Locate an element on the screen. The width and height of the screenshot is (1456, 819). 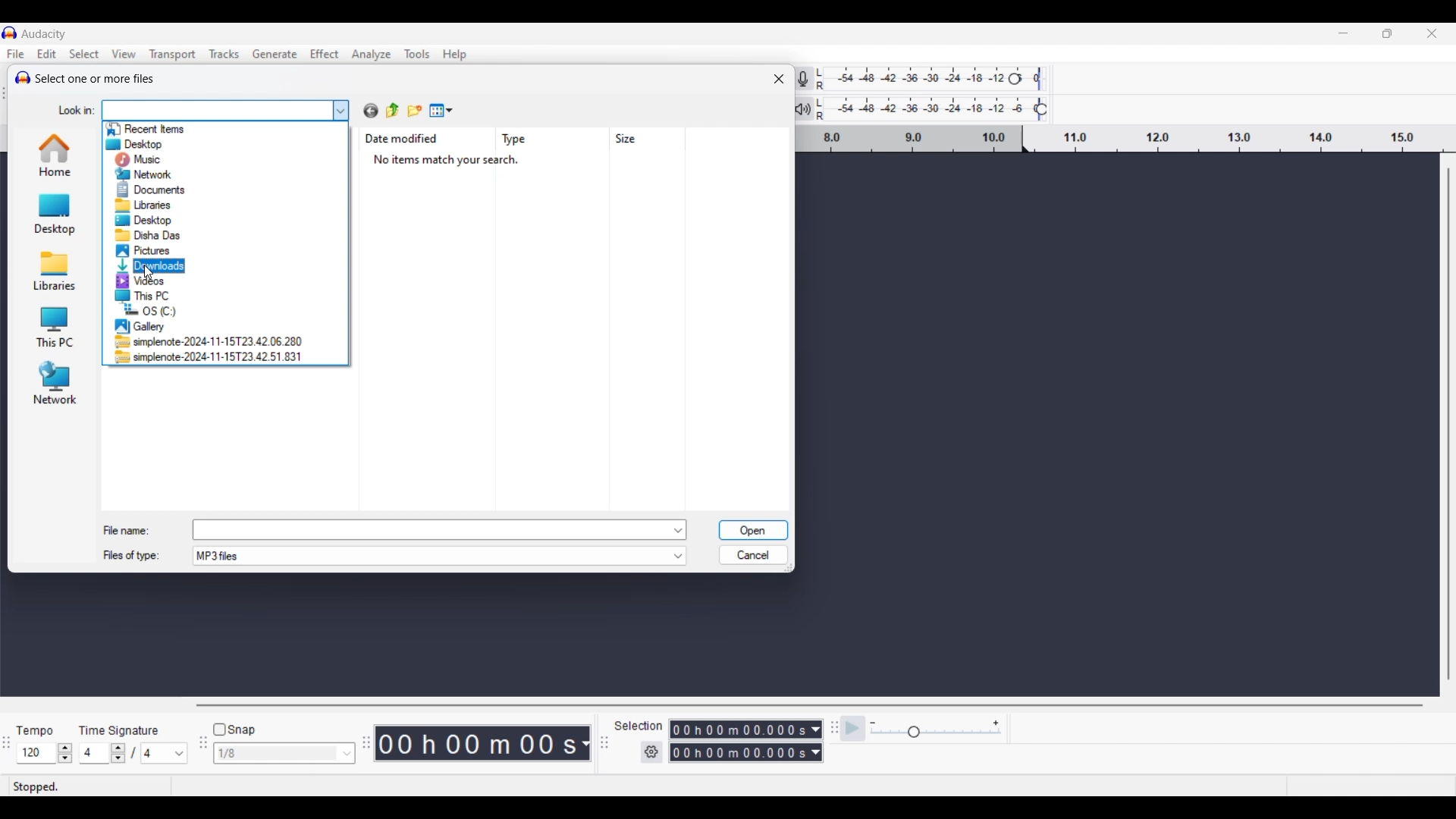
cursor is located at coordinates (149, 271).